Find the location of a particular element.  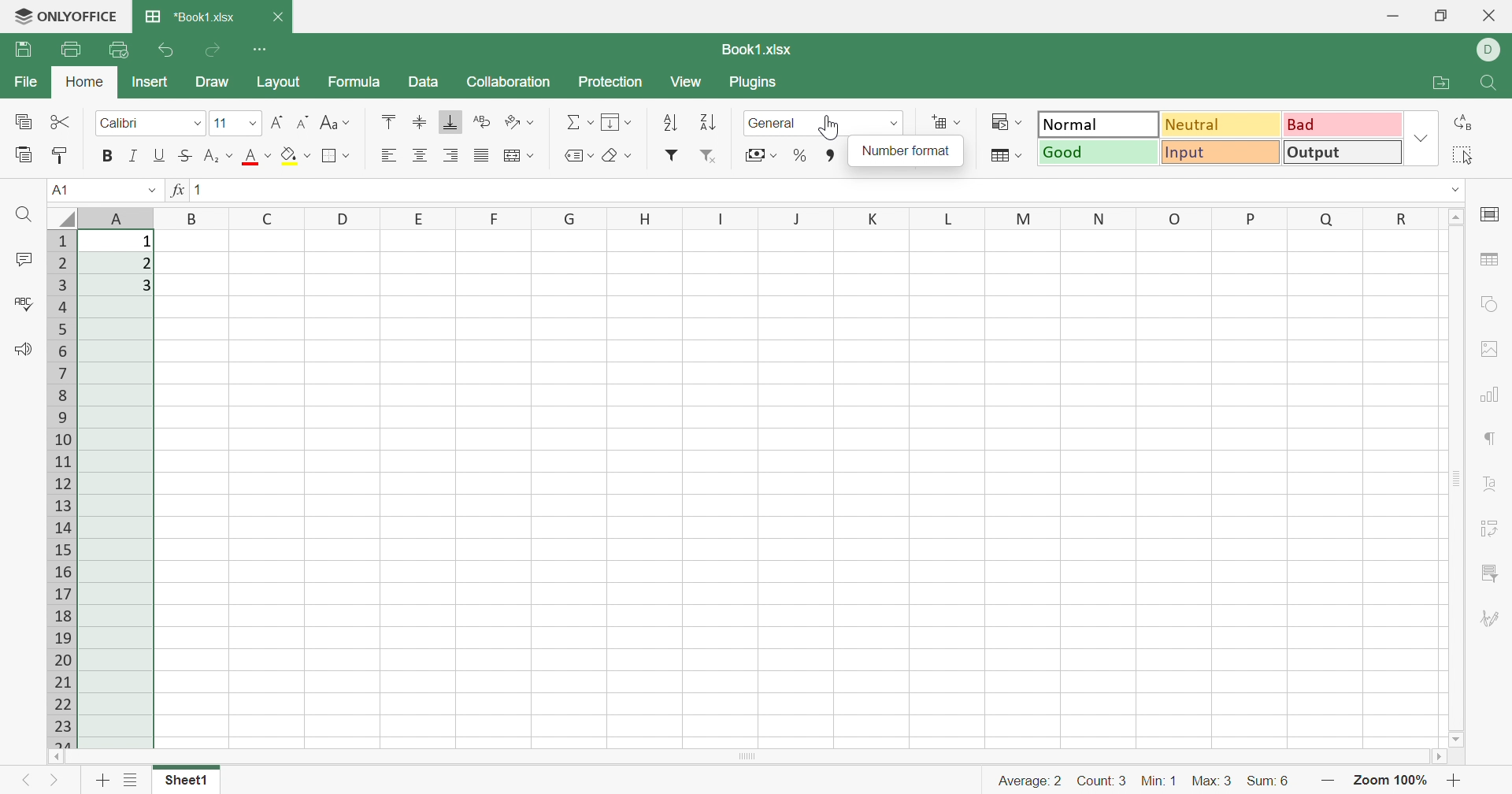

Close is located at coordinates (277, 17).